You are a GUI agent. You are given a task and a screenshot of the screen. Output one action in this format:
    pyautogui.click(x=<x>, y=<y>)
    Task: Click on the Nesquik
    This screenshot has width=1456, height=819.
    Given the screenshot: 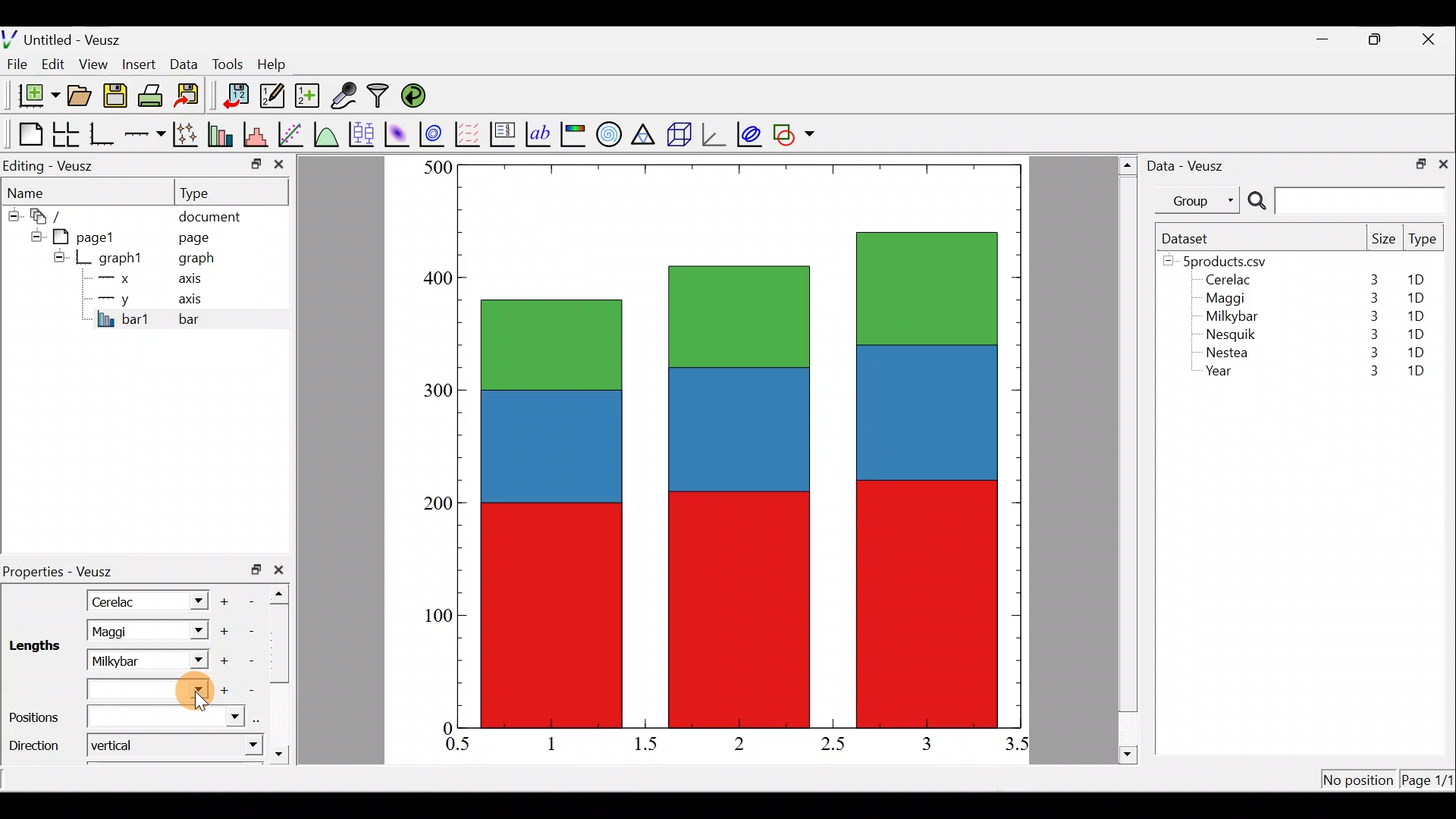 What is the action you would take?
    pyautogui.click(x=1228, y=334)
    